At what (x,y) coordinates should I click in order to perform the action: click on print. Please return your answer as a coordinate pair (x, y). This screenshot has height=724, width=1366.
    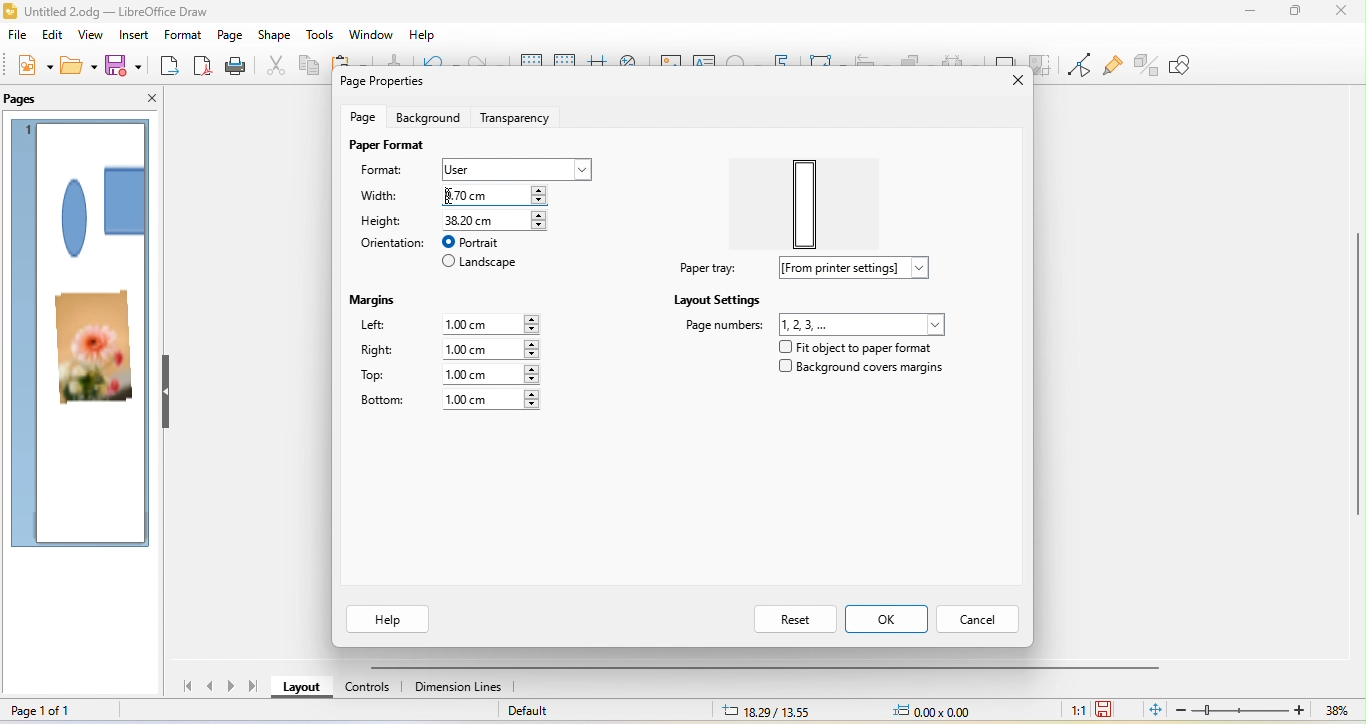
    Looking at the image, I should click on (240, 66).